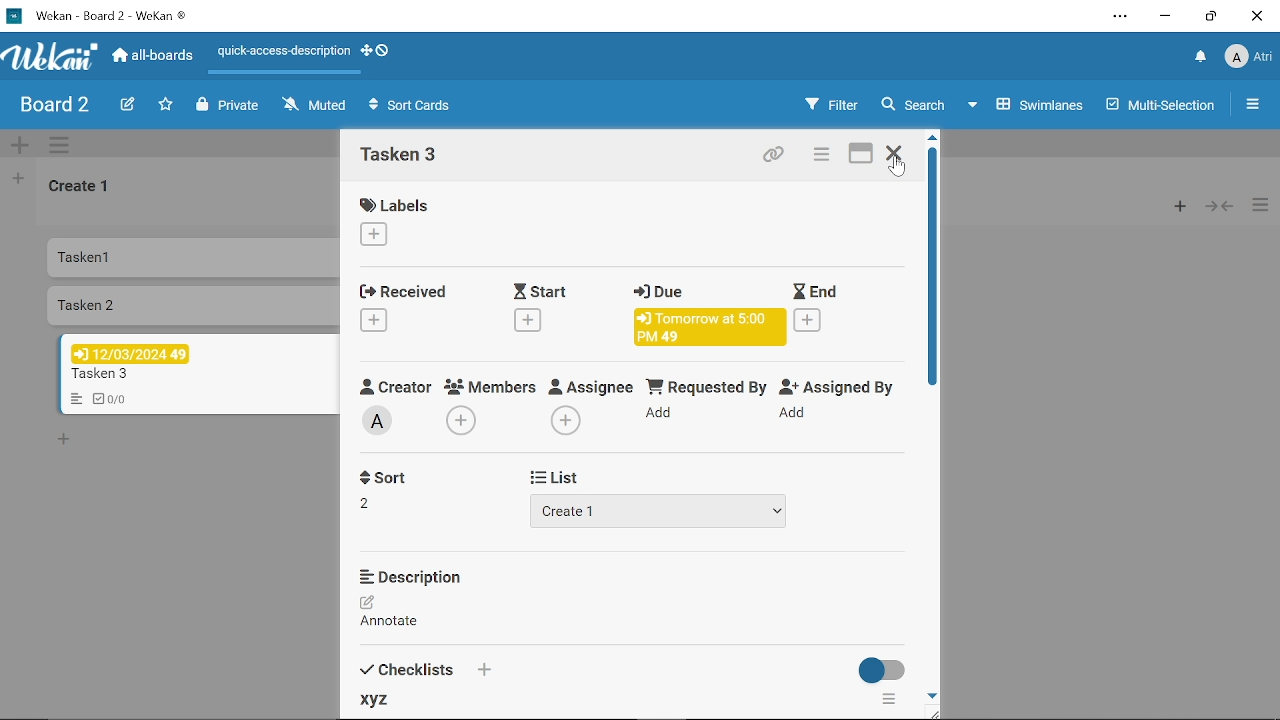 The image size is (1280, 720). What do you see at coordinates (925, 103) in the screenshot?
I see `Search` at bounding box center [925, 103].